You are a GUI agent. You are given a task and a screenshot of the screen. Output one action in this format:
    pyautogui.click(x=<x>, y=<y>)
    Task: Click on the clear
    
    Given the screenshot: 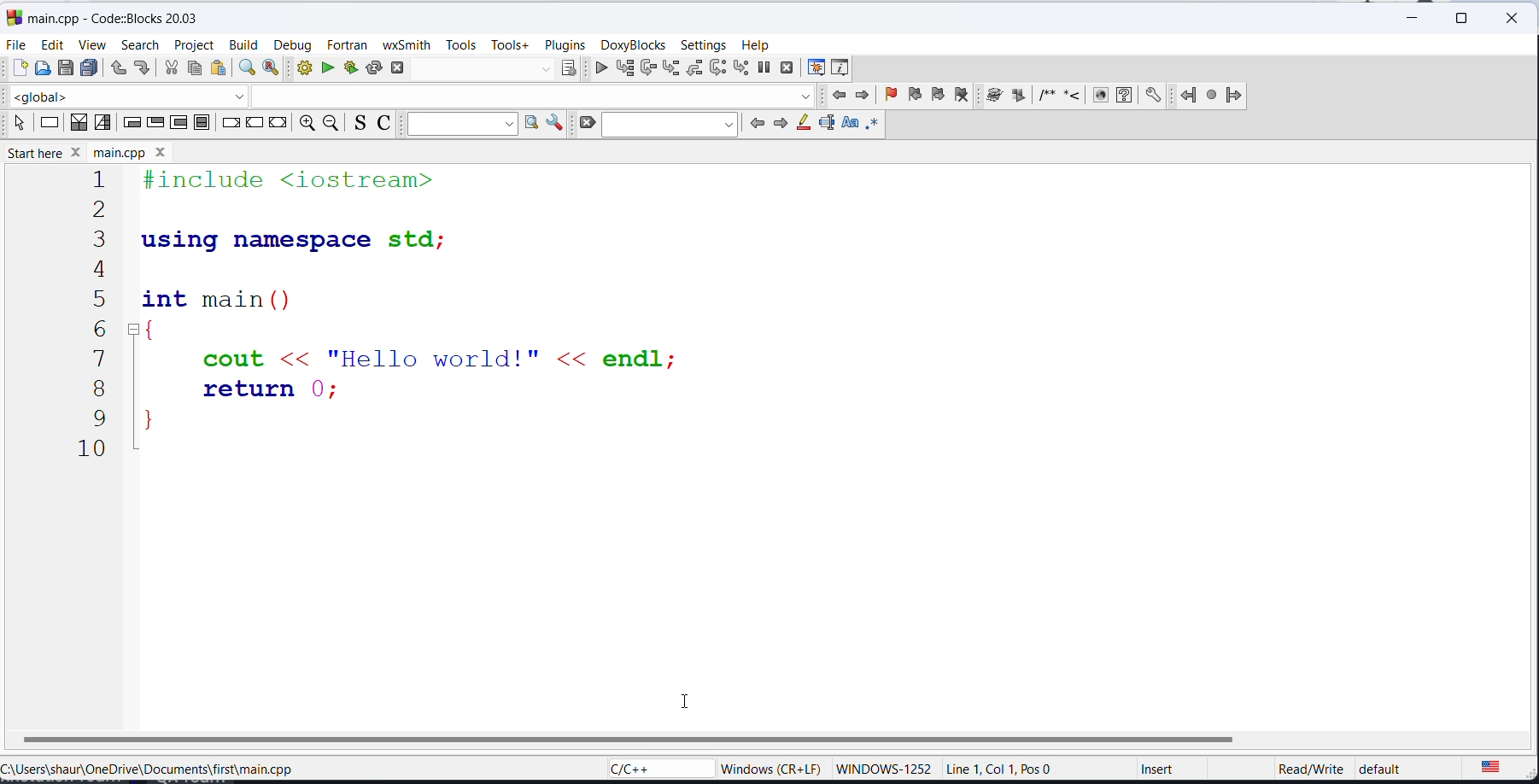 What is the action you would take?
    pyautogui.click(x=588, y=125)
    